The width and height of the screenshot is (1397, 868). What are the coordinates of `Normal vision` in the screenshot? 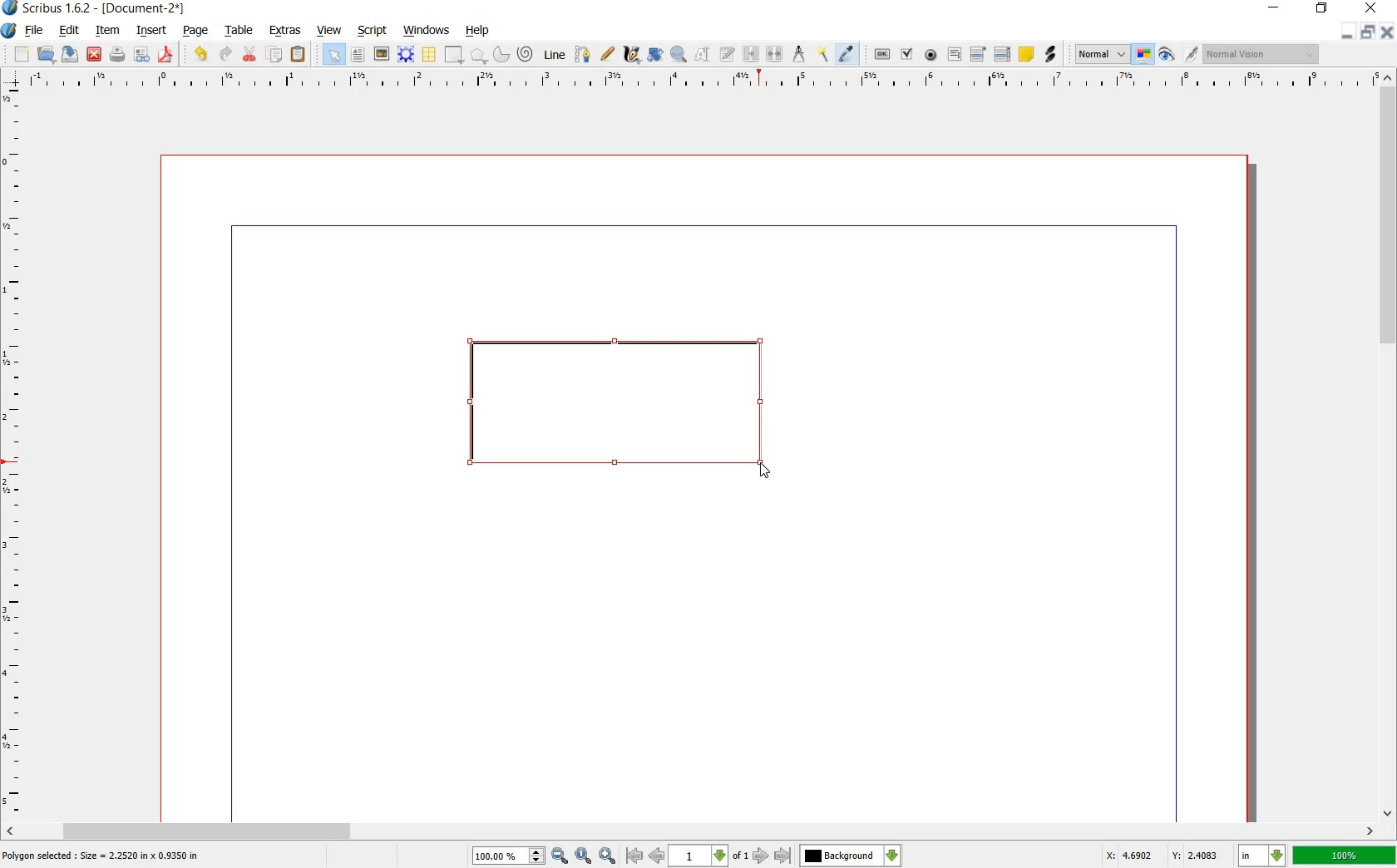 It's located at (1260, 54).